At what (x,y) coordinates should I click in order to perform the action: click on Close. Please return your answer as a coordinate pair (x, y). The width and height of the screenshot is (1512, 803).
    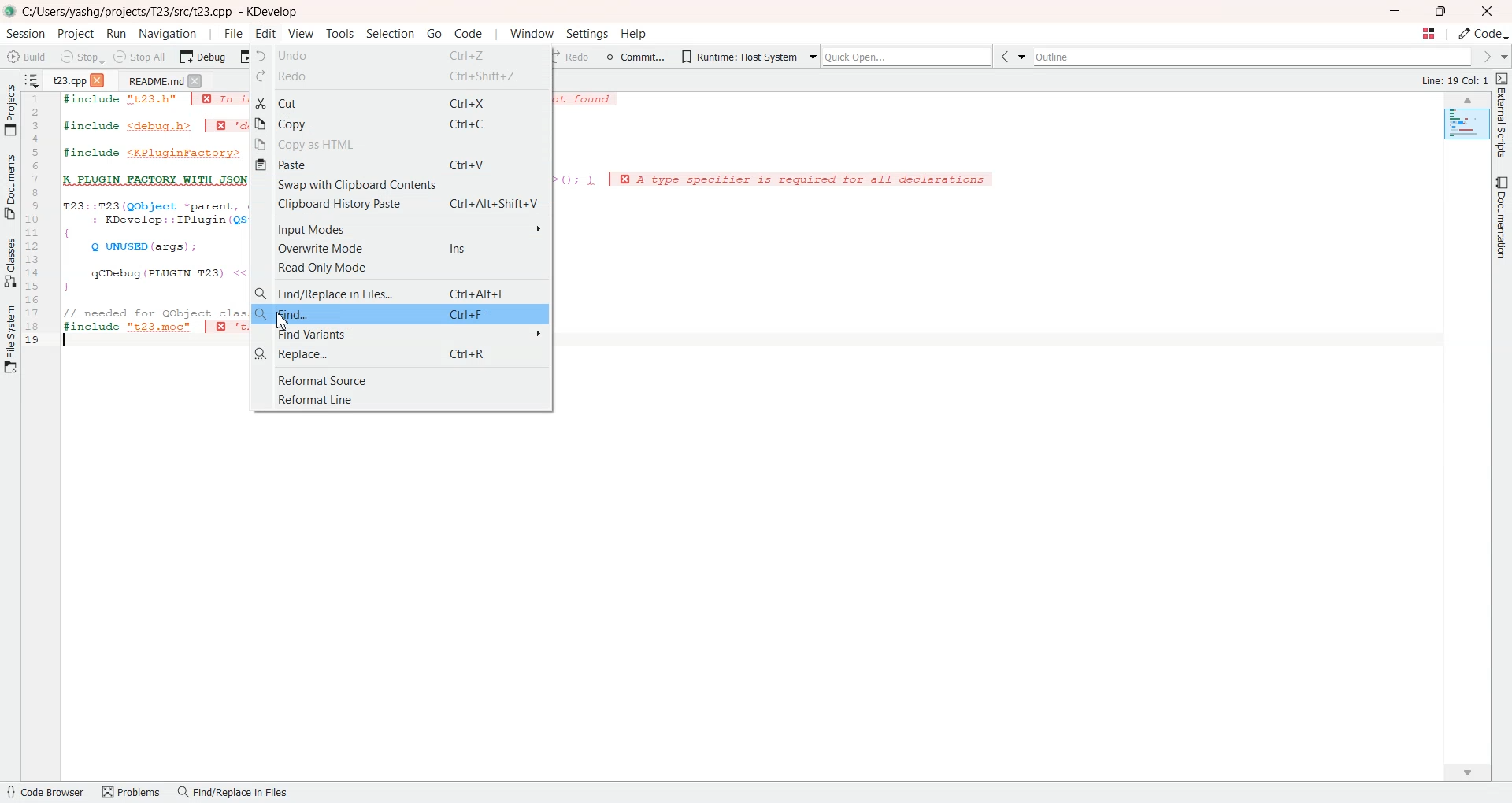
    Looking at the image, I should click on (100, 79).